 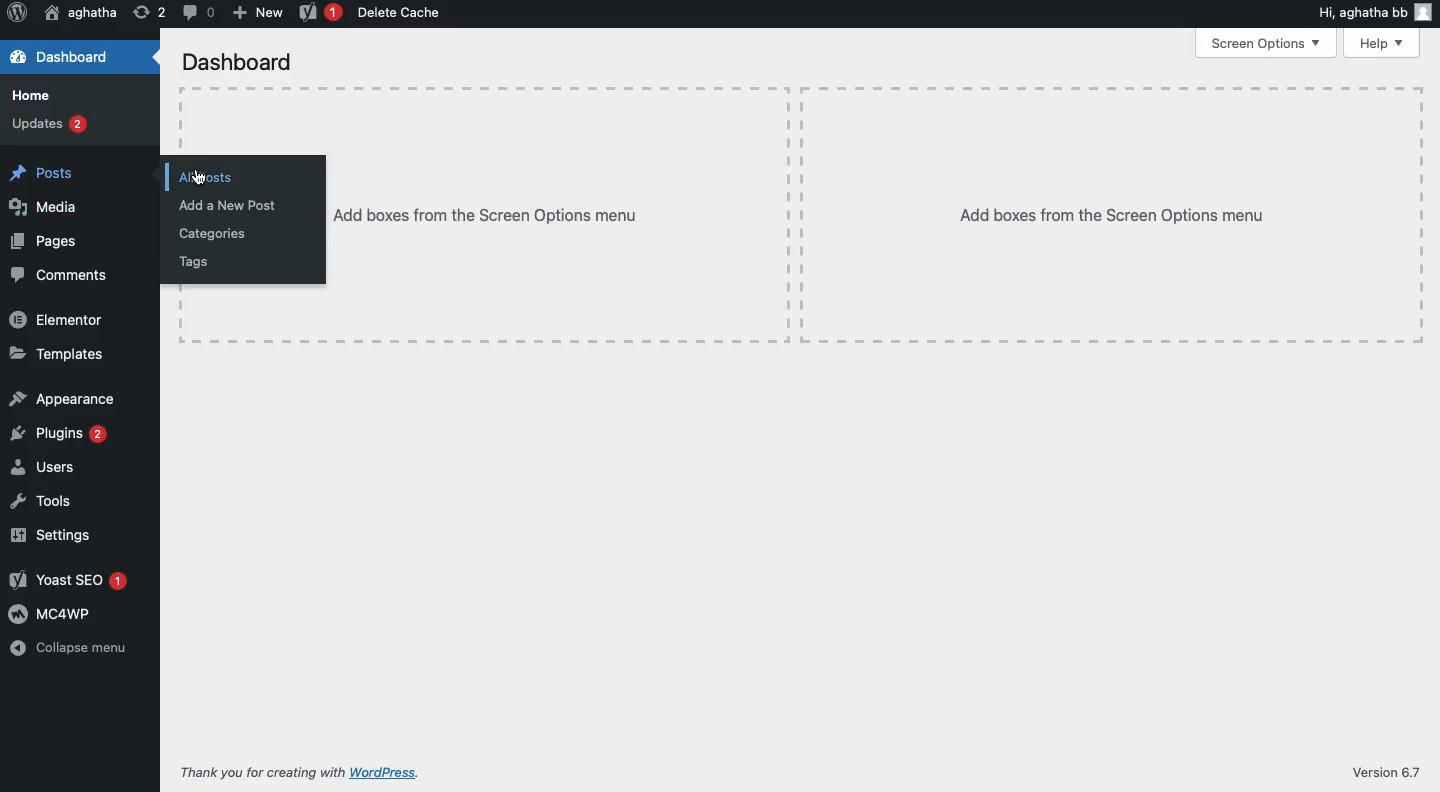 I want to click on Delete Cache, so click(x=403, y=14).